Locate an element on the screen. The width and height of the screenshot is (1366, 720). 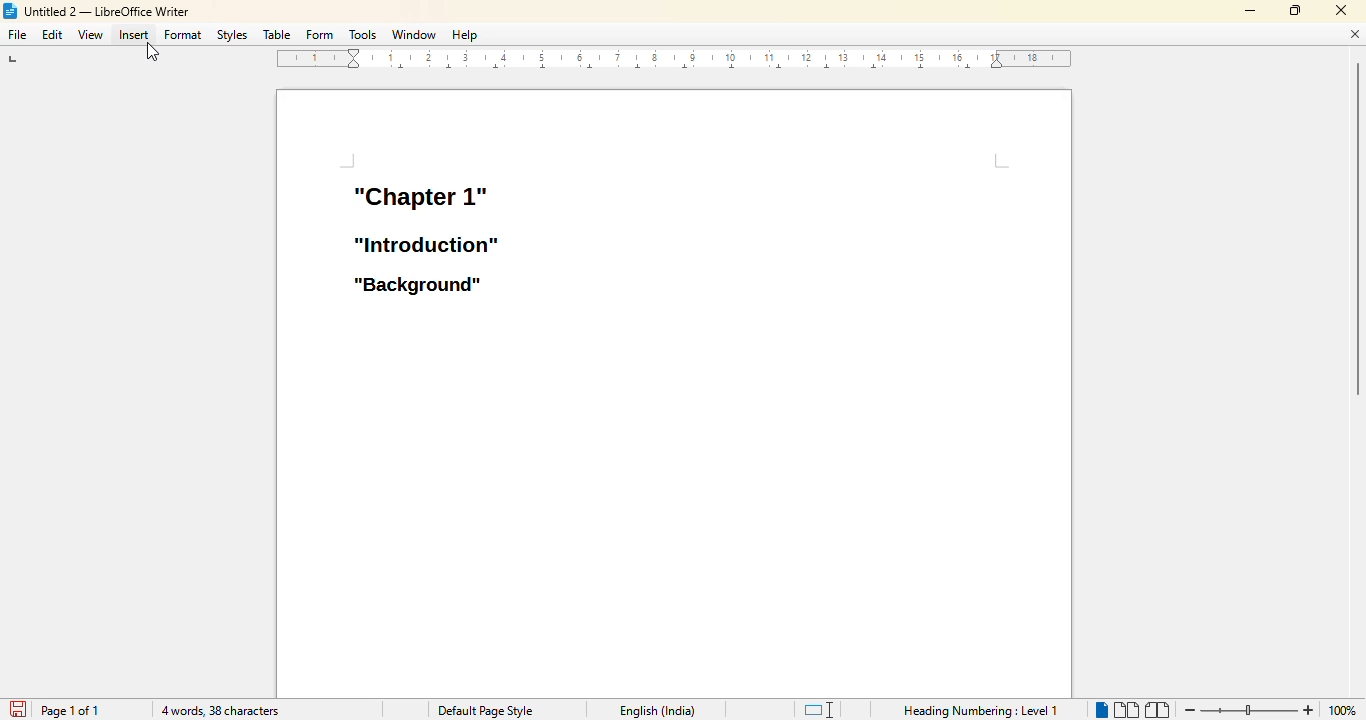
close is located at coordinates (1340, 9).